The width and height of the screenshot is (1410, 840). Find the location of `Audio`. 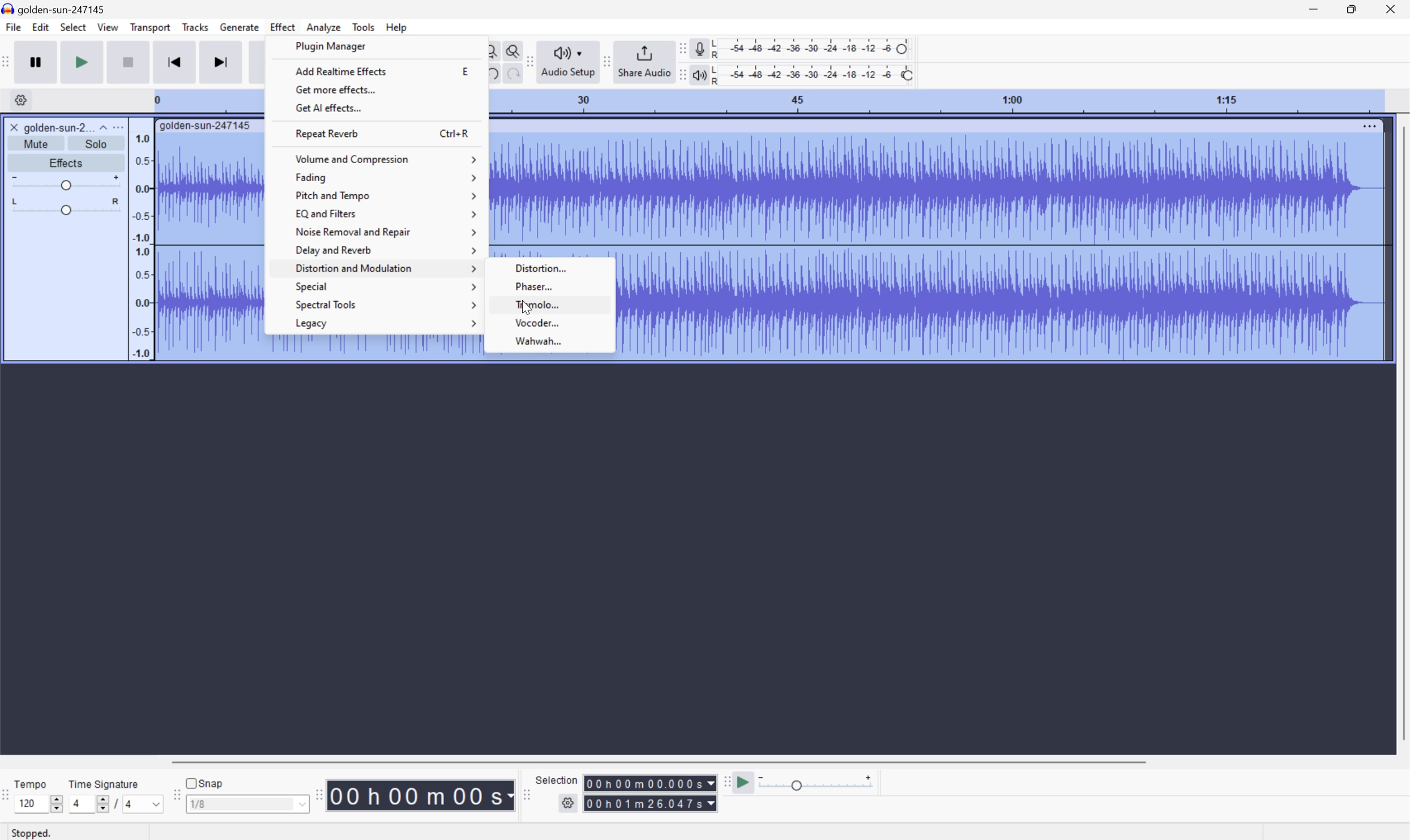

Audio is located at coordinates (1002, 247).